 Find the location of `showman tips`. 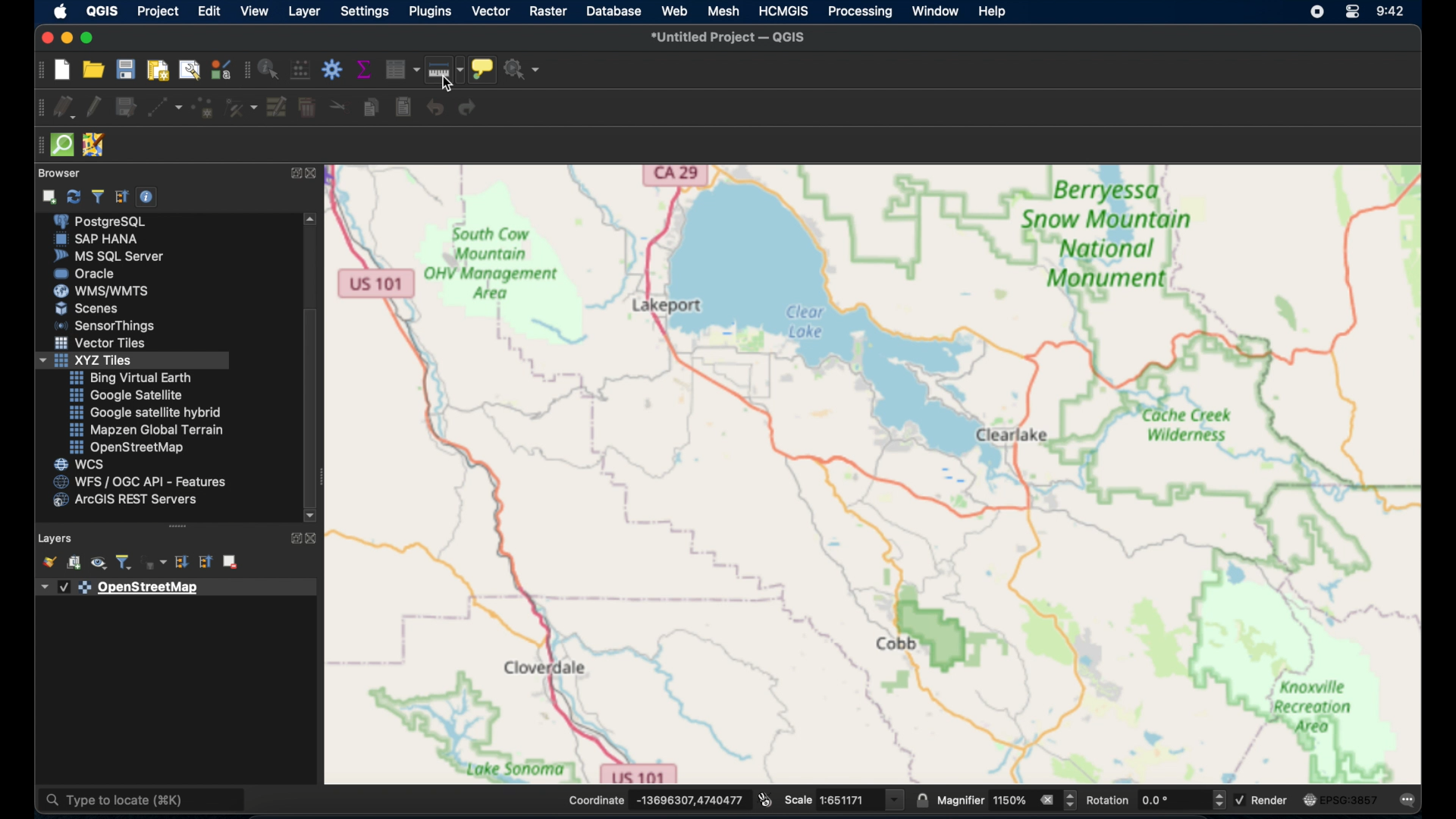

showman tips is located at coordinates (483, 68).